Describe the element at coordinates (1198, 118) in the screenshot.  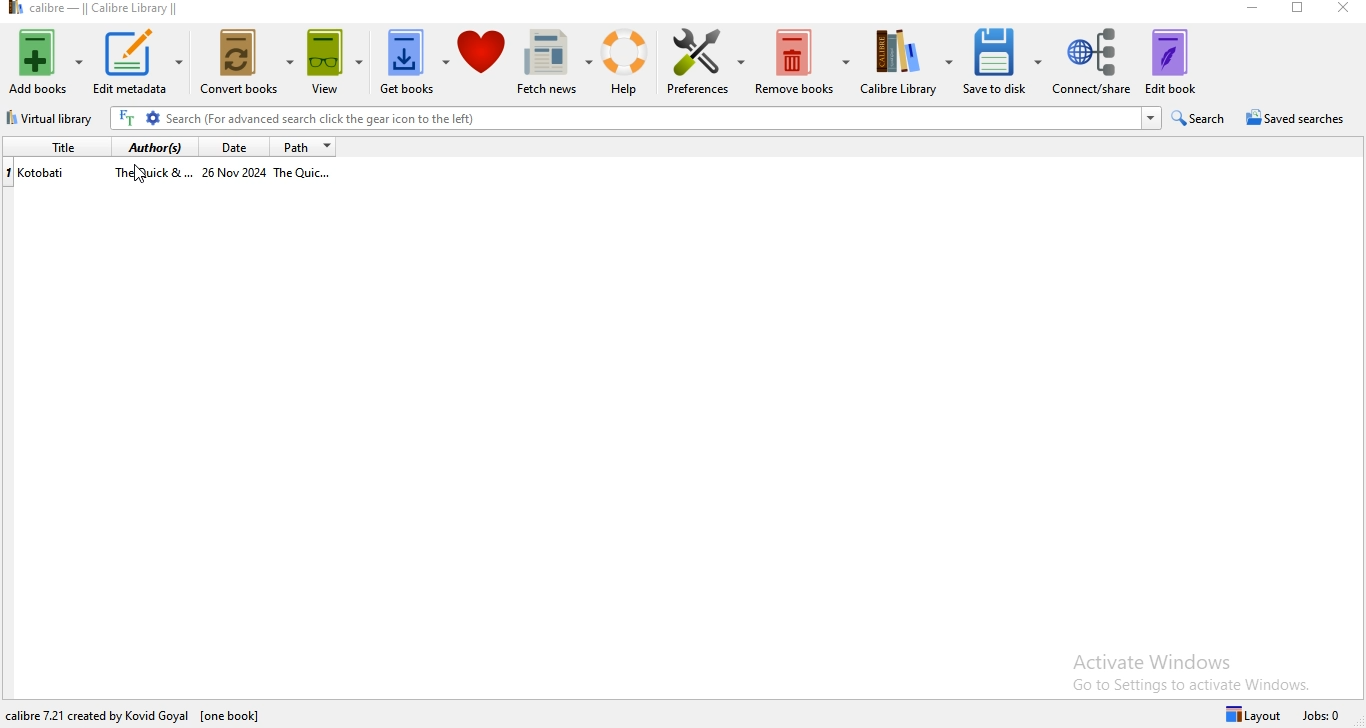
I see `search` at that location.